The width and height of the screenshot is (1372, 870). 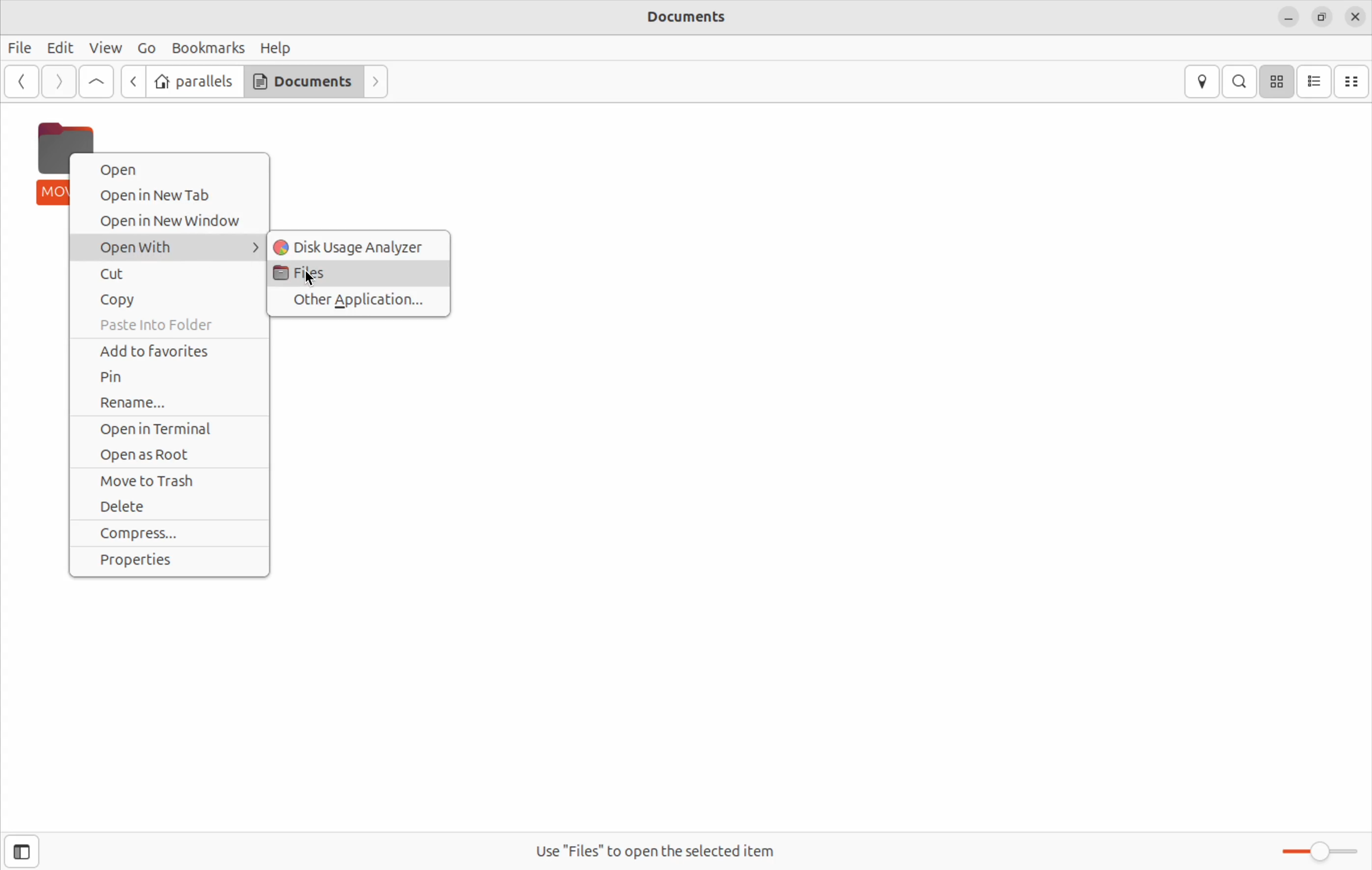 I want to click on Disk Usage Analyzer, so click(x=360, y=245).